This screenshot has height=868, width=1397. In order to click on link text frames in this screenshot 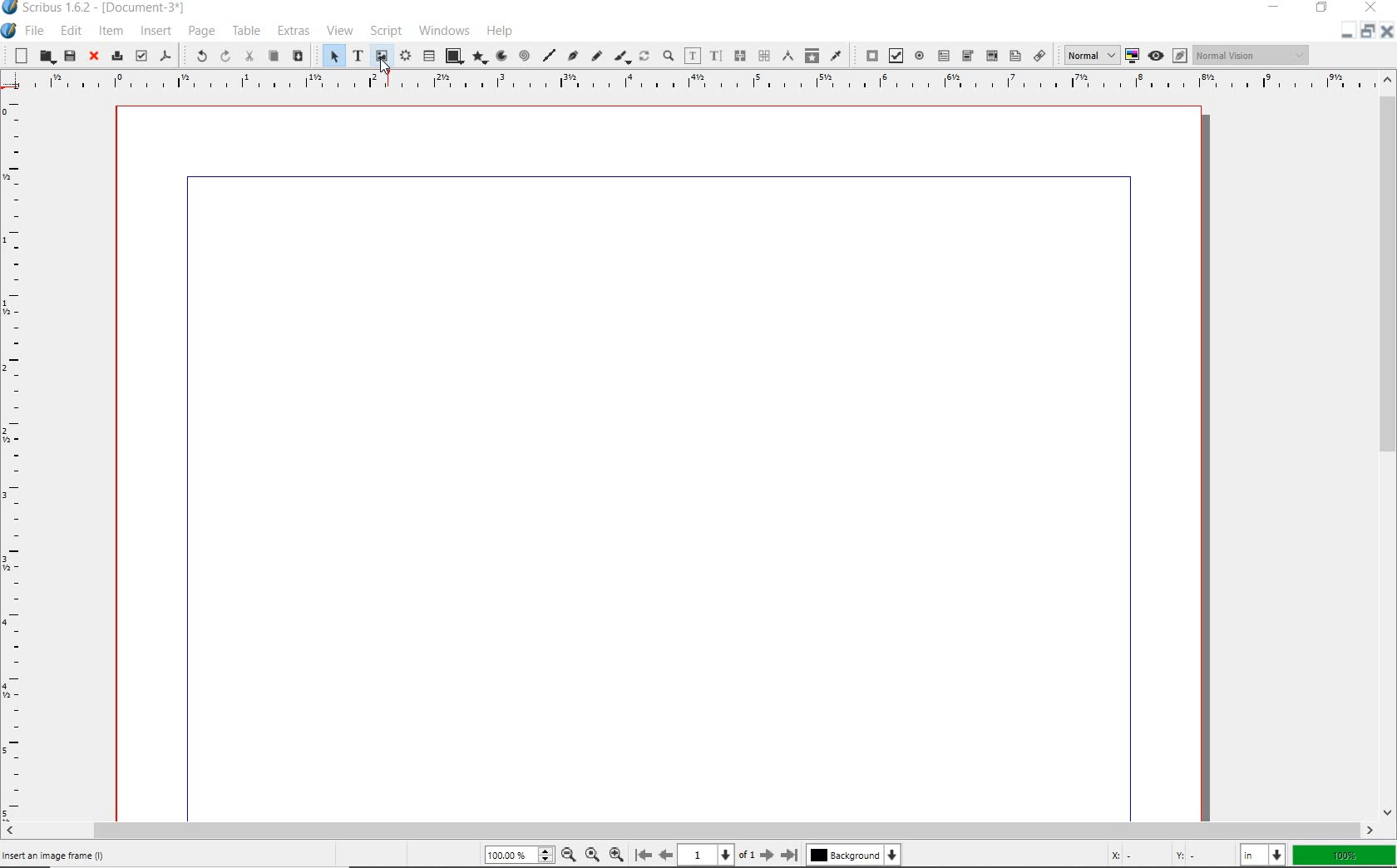, I will do `click(738, 55)`.